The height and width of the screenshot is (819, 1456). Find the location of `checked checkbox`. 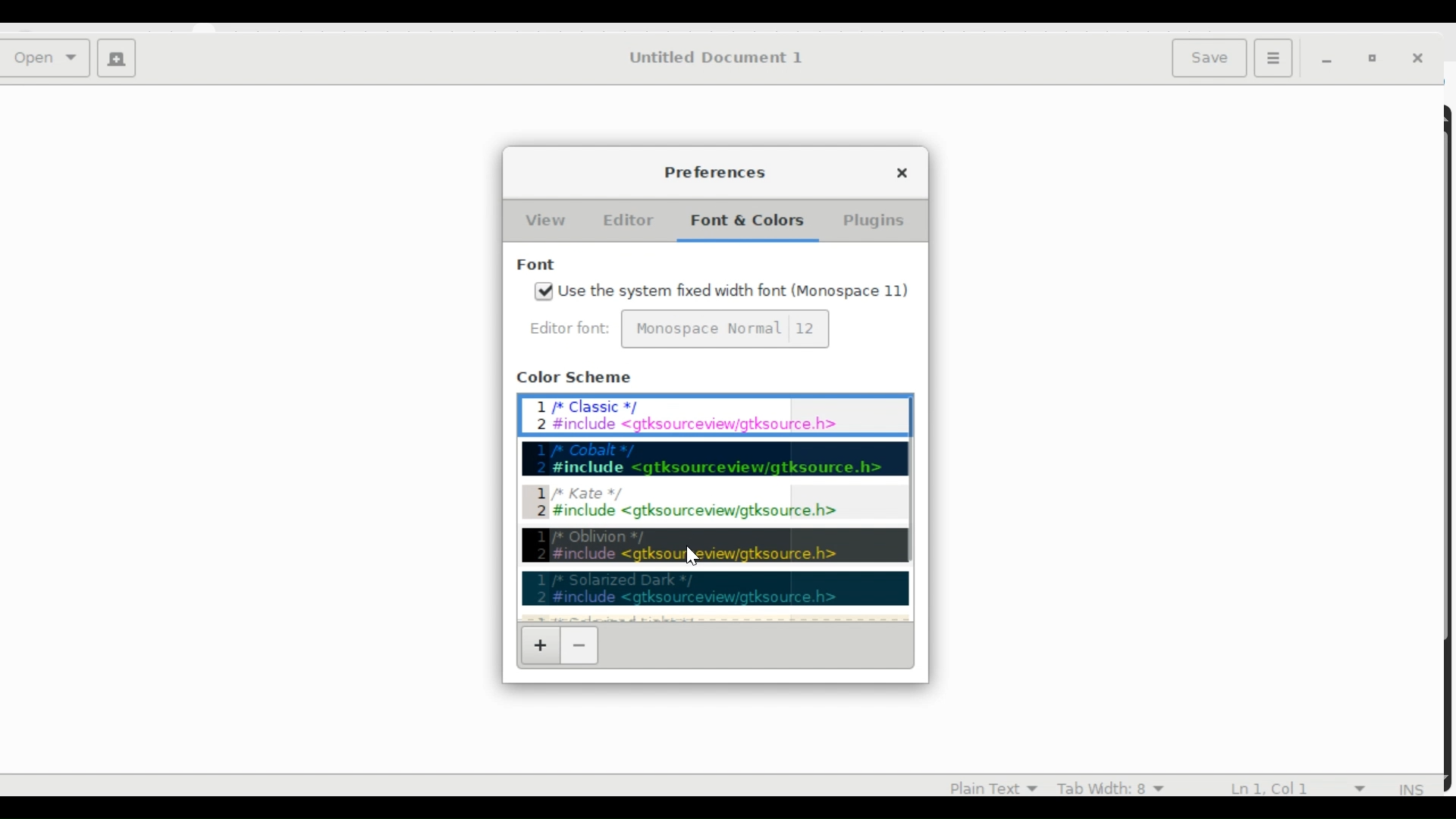

checked checkbox is located at coordinates (544, 291).